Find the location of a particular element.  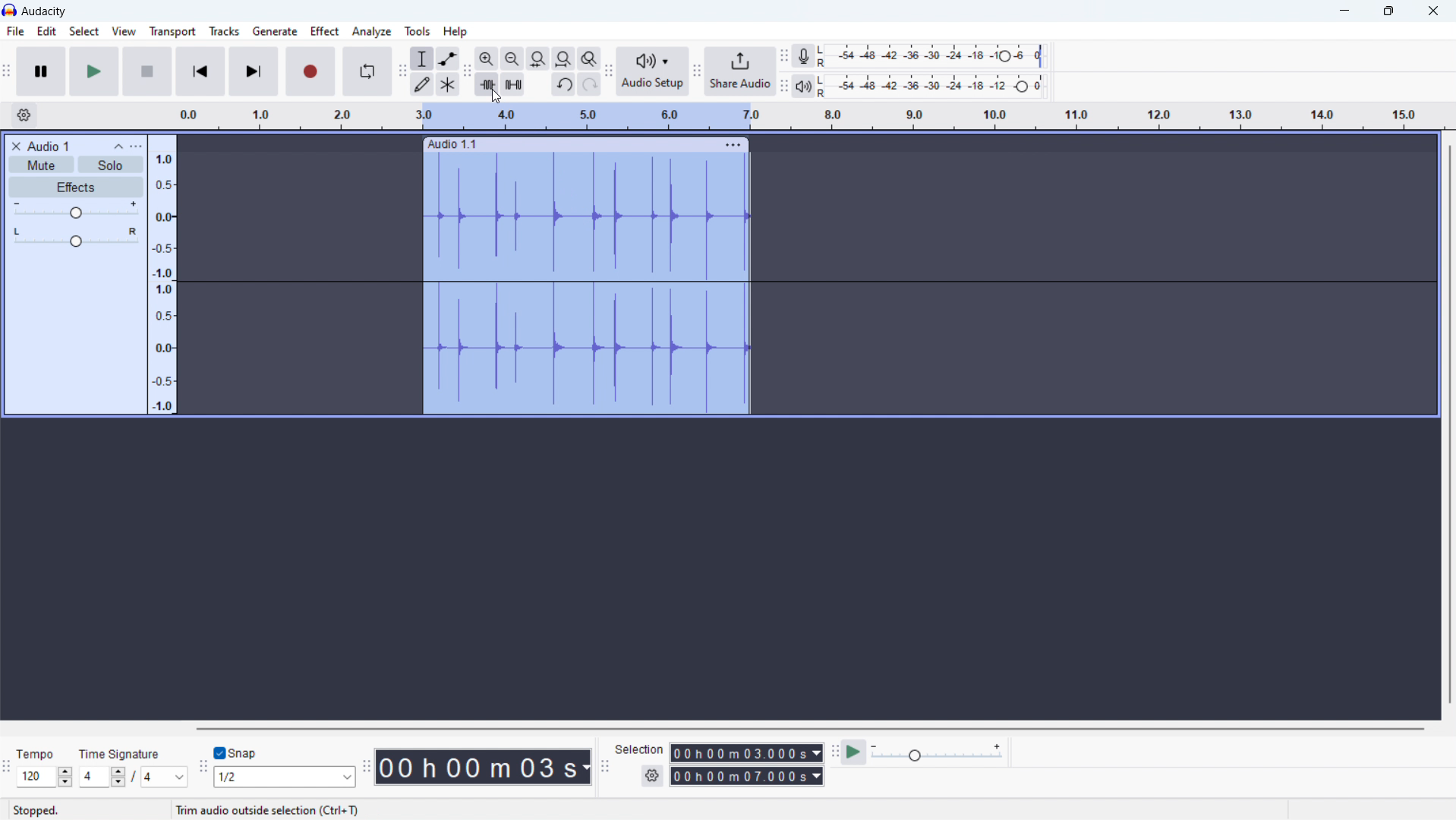

time toolbar is located at coordinates (367, 768).